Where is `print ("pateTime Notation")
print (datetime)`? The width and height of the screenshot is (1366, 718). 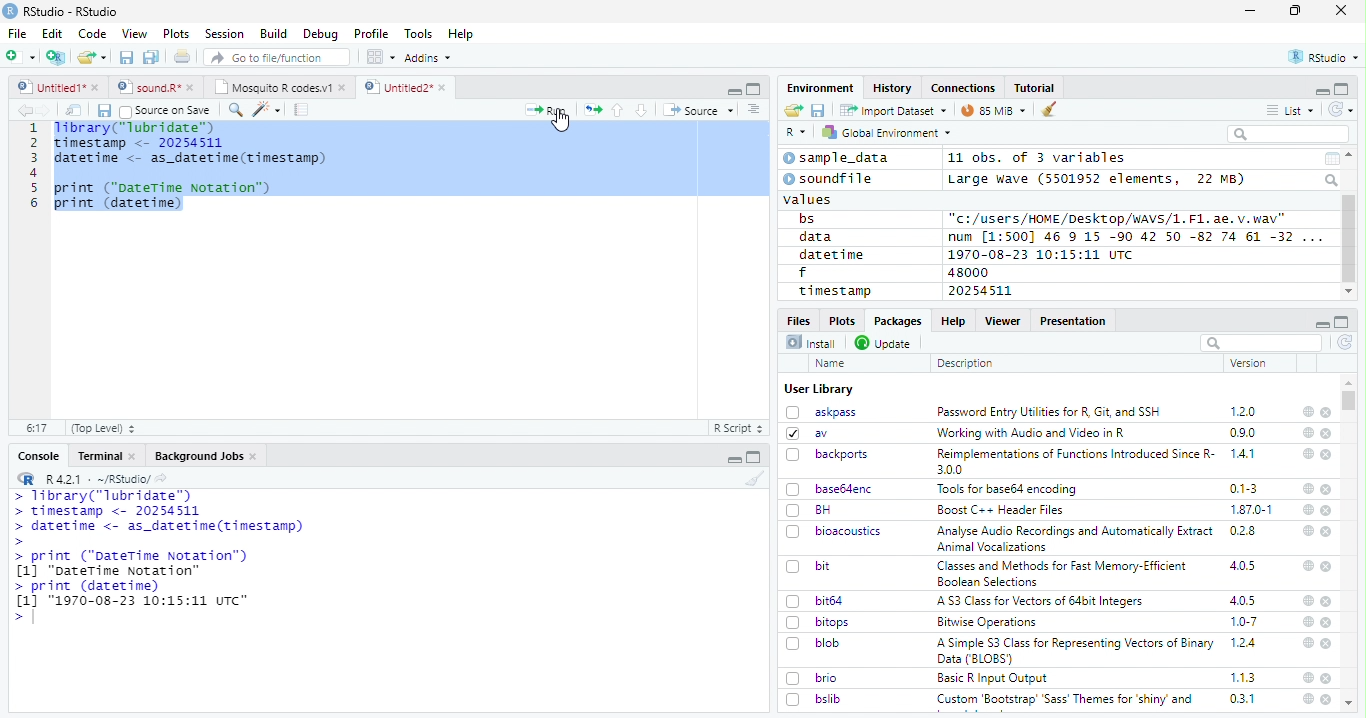 print ("pateTime Notation")
print (datetime) is located at coordinates (164, 196).